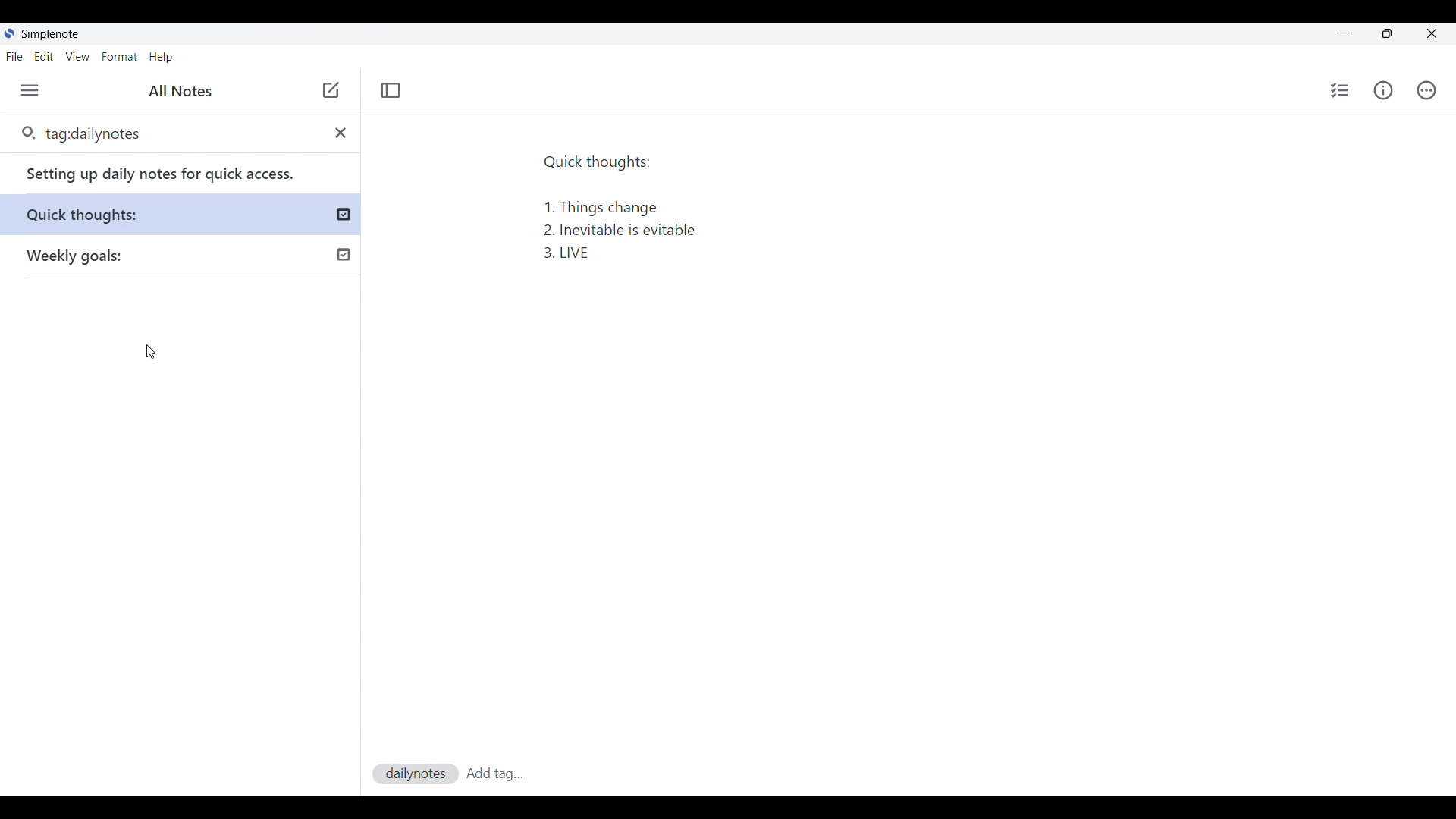  I want to click on Check icon indicating published notes, so click(344, 215).